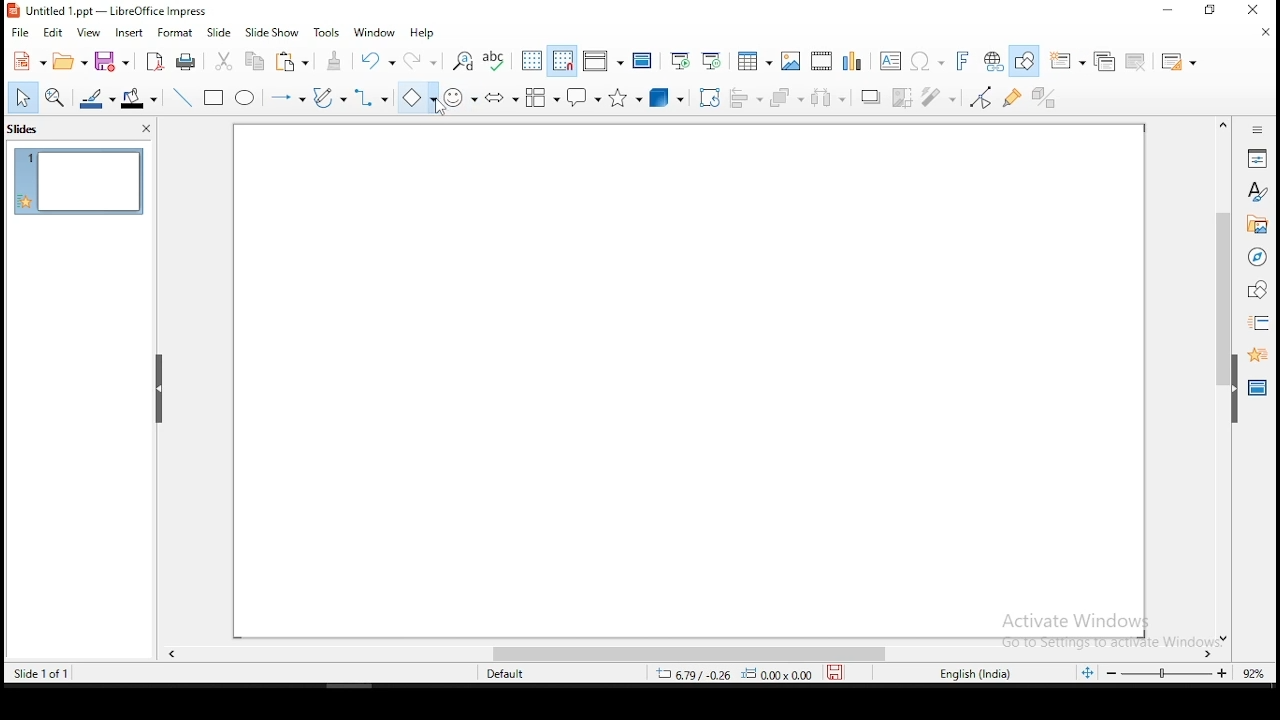 This screenshot has width=1280, height=720. Describe the element at coordinates (603, 62) in the screenshot. I see `display views` at that location.